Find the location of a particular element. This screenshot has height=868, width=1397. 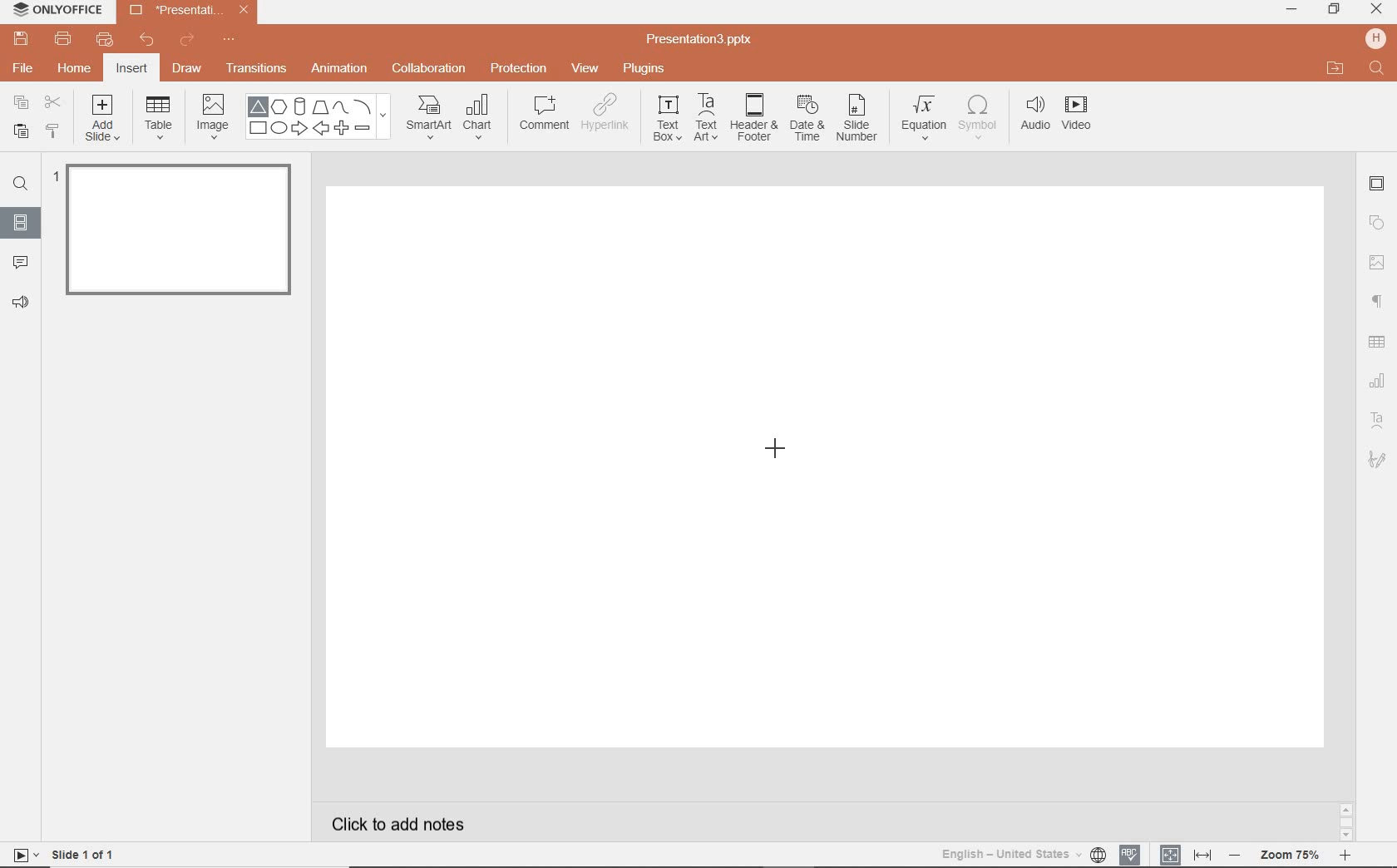

TRANSITIONS is located at coordinates (259, 68).